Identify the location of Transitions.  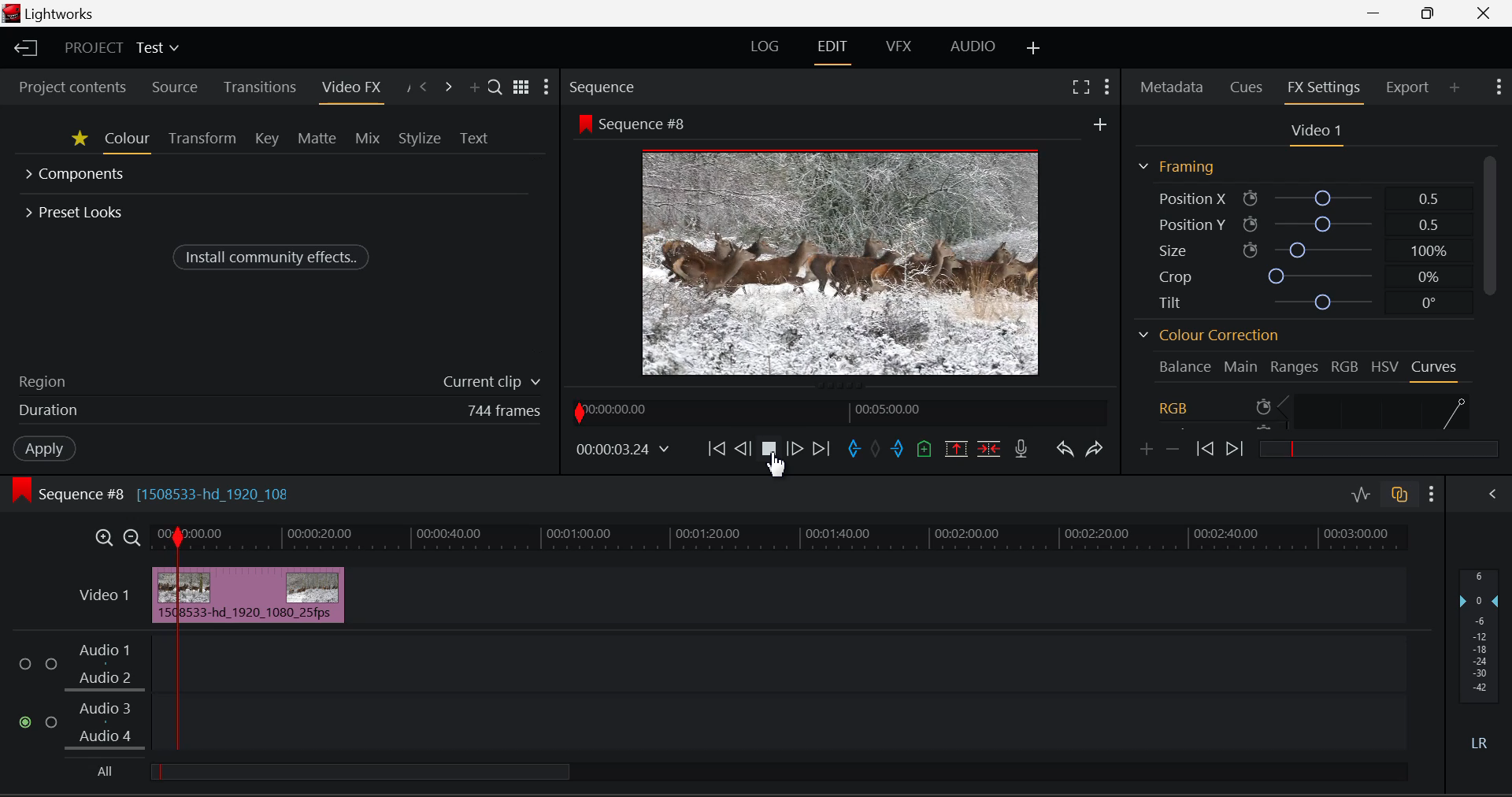
(259, 87).